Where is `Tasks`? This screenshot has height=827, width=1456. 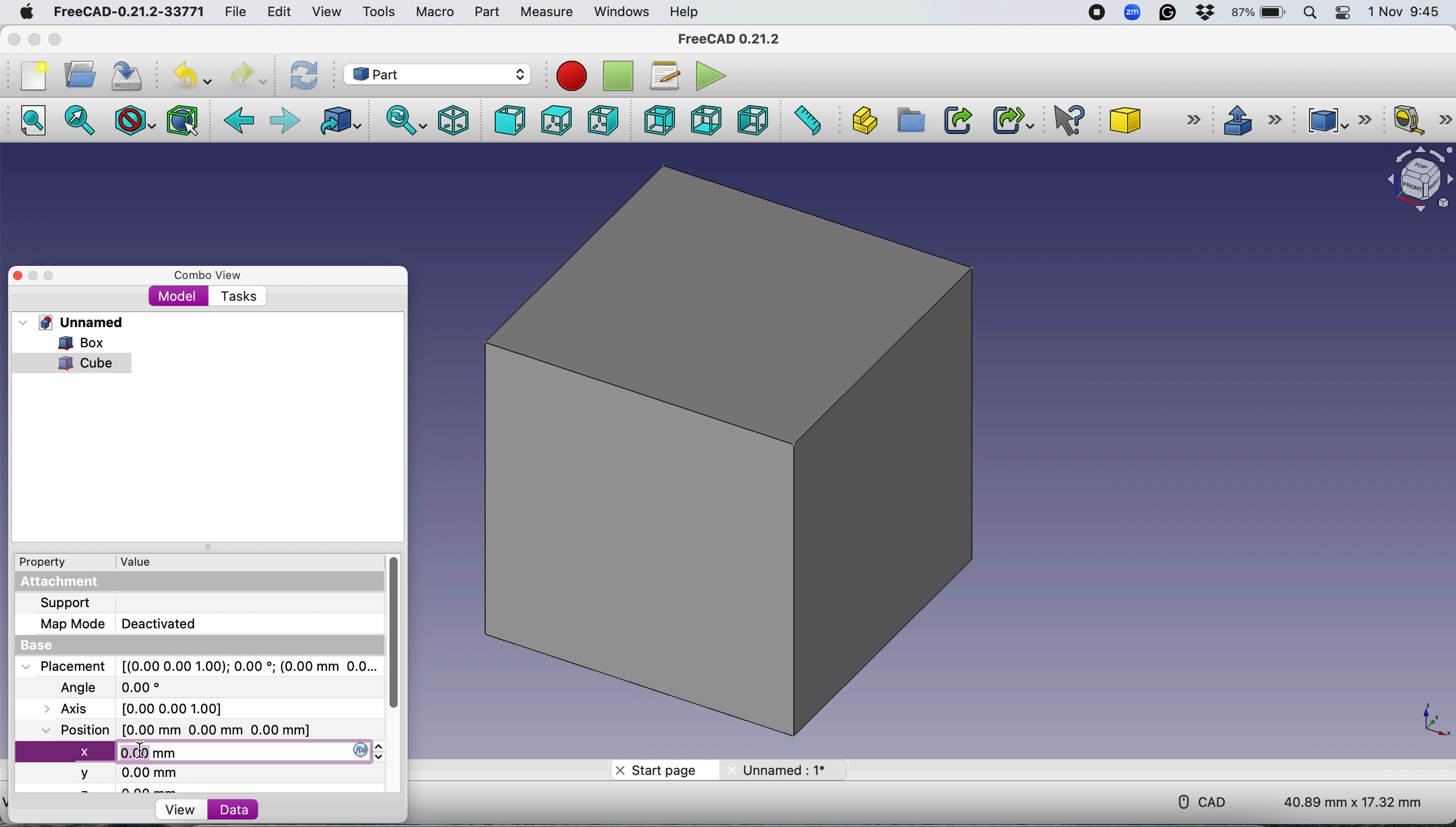 Tasks is located at coordinates (238, 297).